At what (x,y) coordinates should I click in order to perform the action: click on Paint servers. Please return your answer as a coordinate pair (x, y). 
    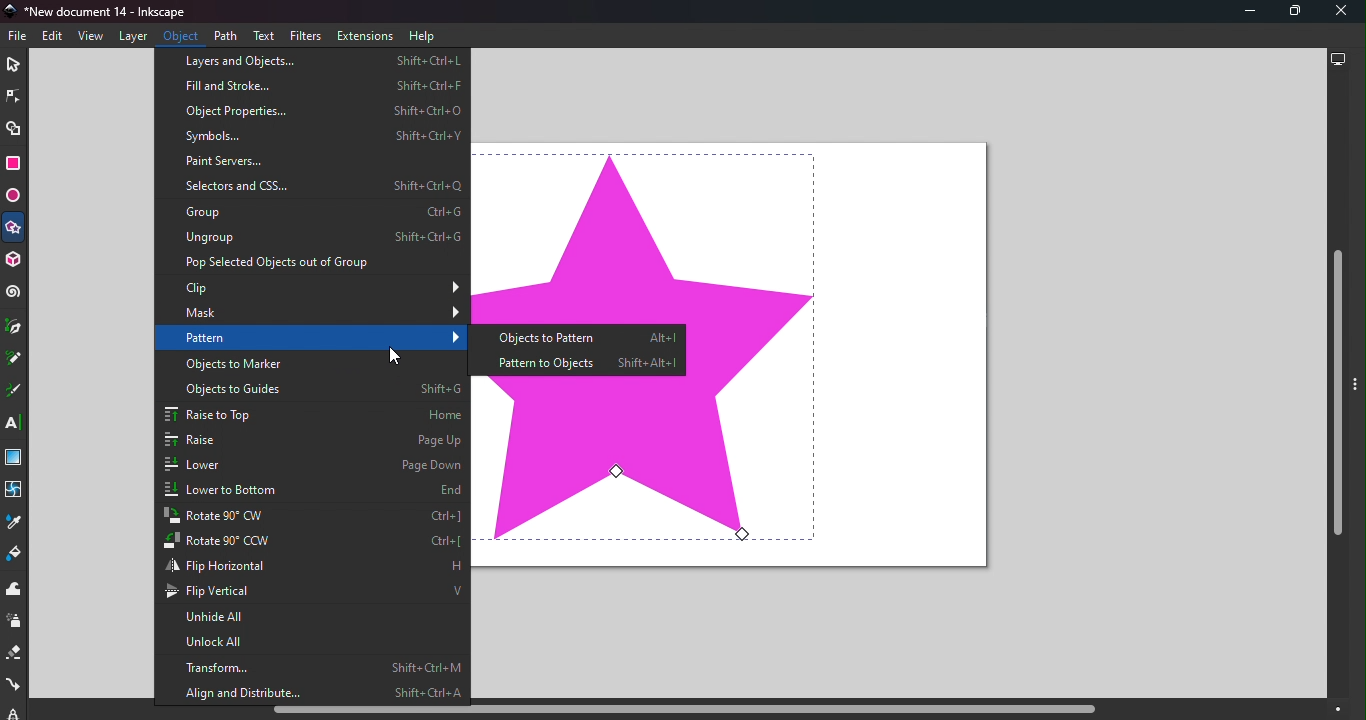
    Looking at the image, I should click on (324, 160).